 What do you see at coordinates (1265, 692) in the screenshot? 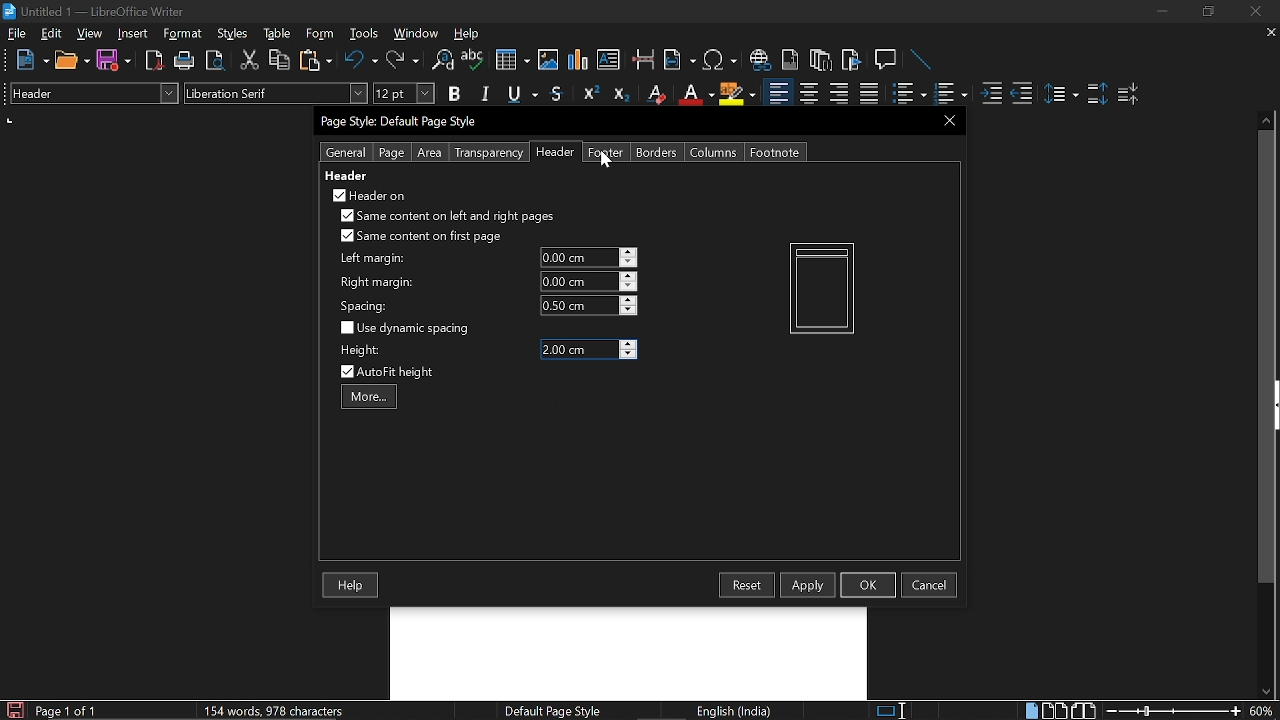
I see `Move down` at bounding box center [1265, 692].